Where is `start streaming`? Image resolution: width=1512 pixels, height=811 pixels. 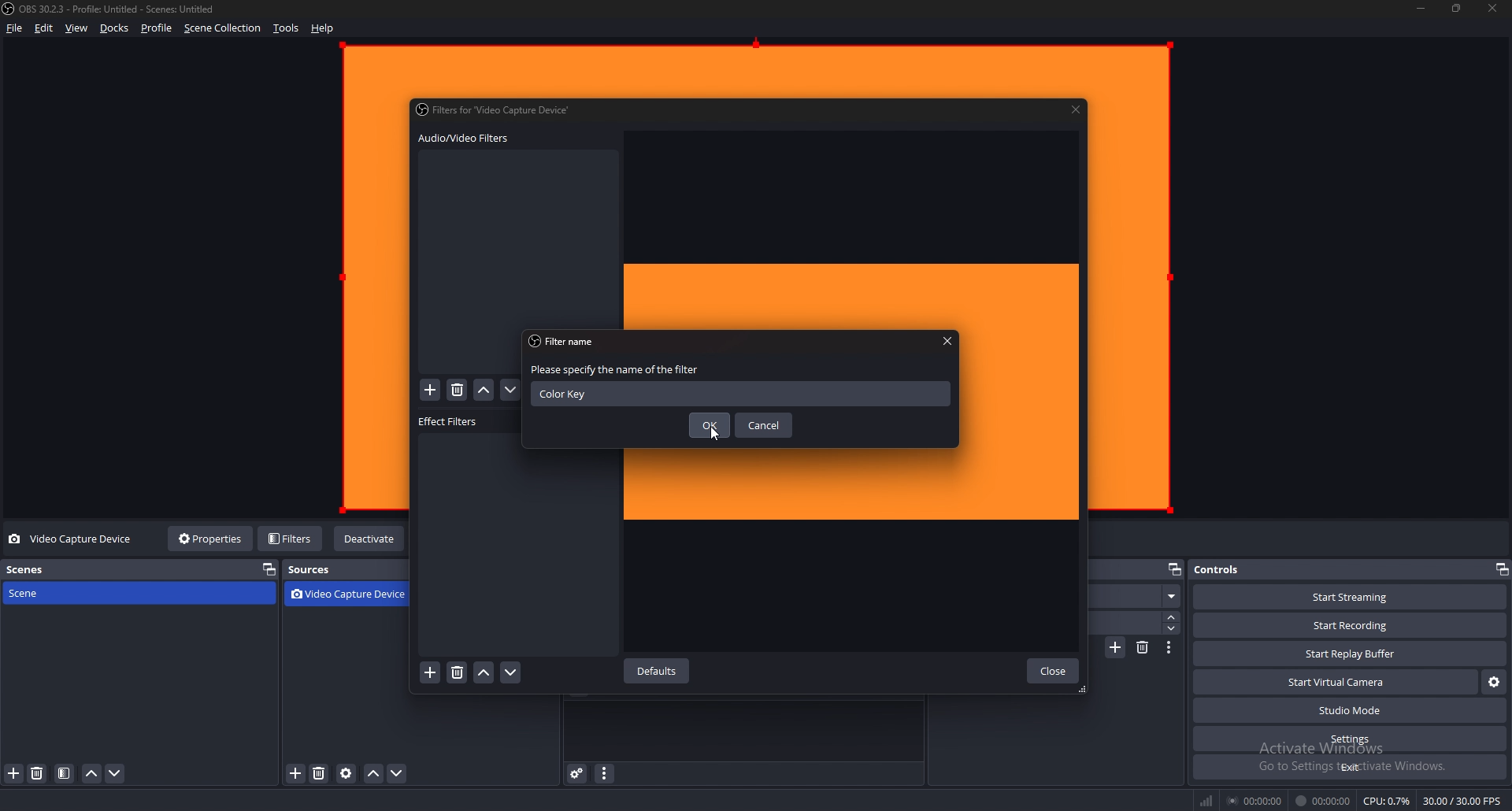
start streaming is located at coordinates (1350, 597).